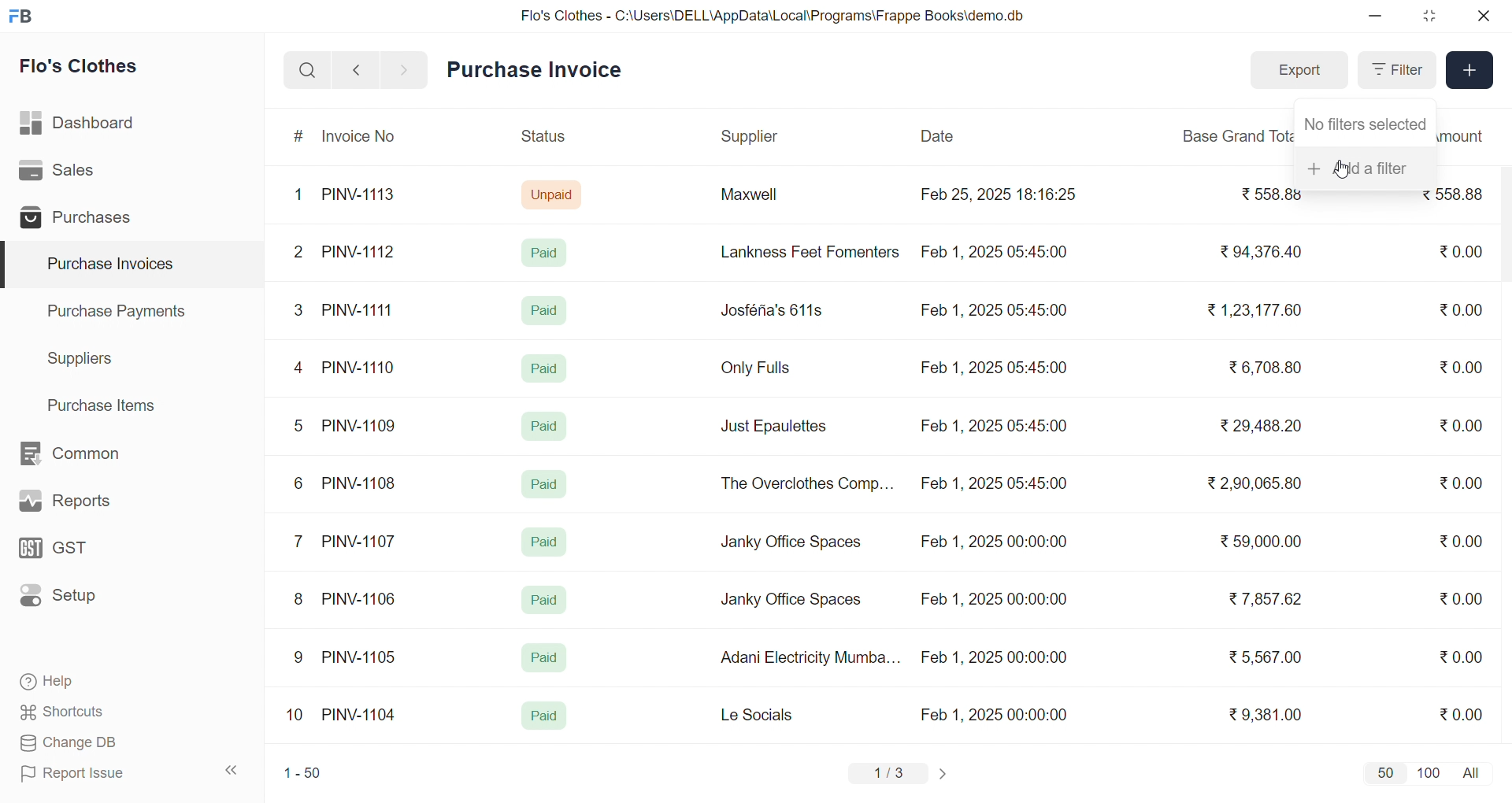 This screenshot has height=803, width=1512. I want to click on change page, so click(945, 773).